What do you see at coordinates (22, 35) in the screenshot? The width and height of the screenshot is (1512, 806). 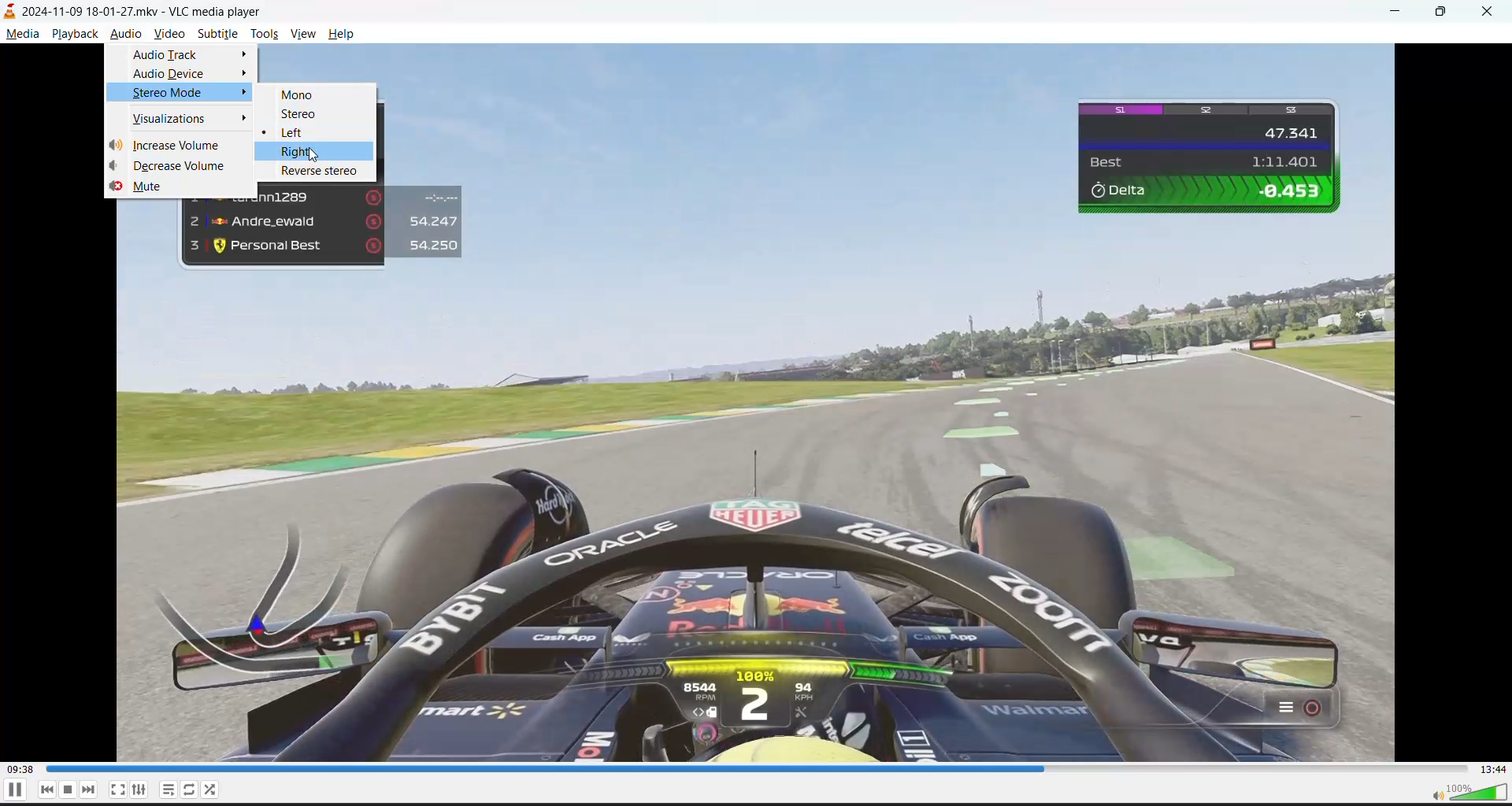 I see `media` at bounding box center [22, 35].